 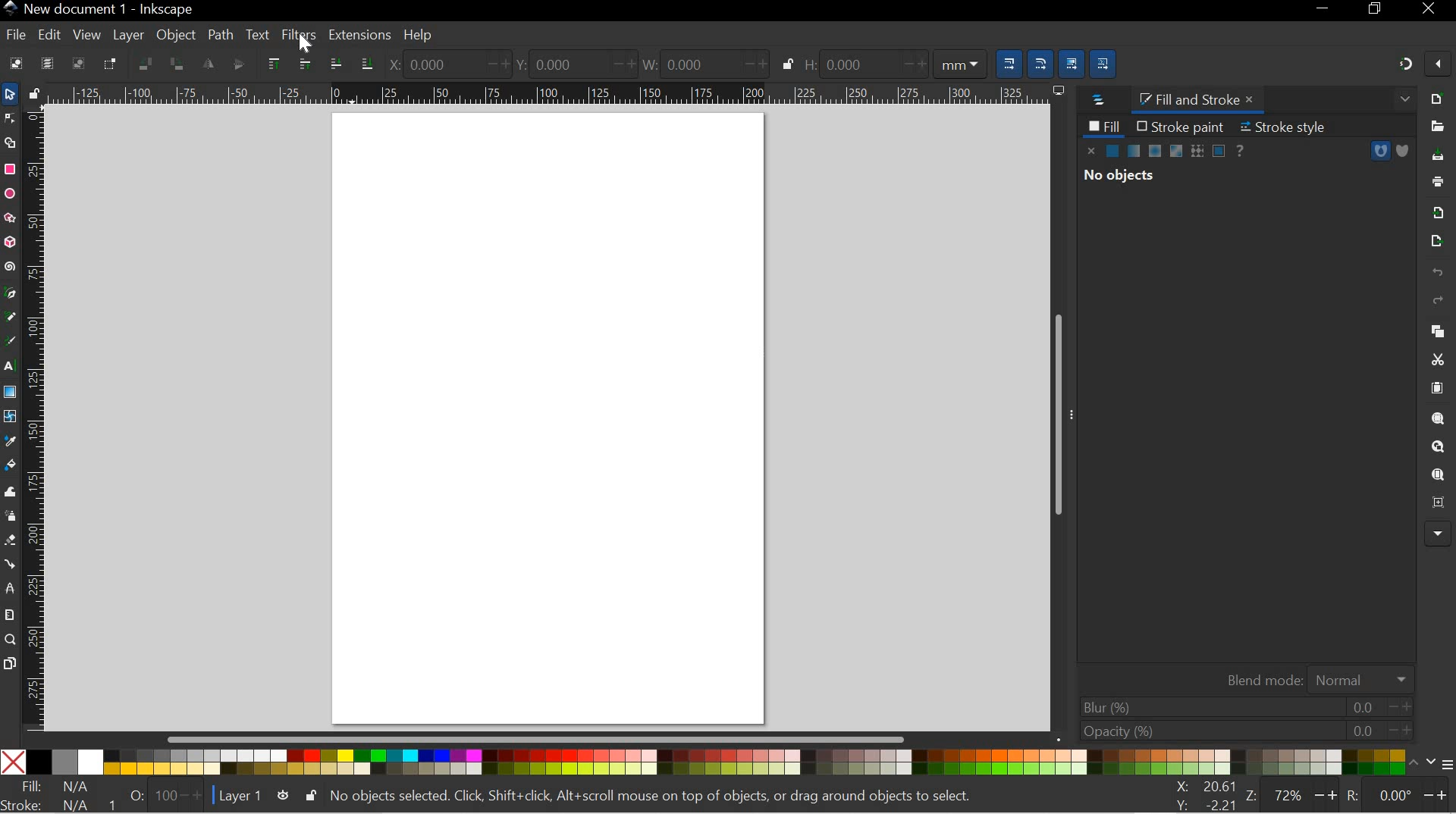 I want to click on CLOSE PANEL, so click(x=1402, y=101).